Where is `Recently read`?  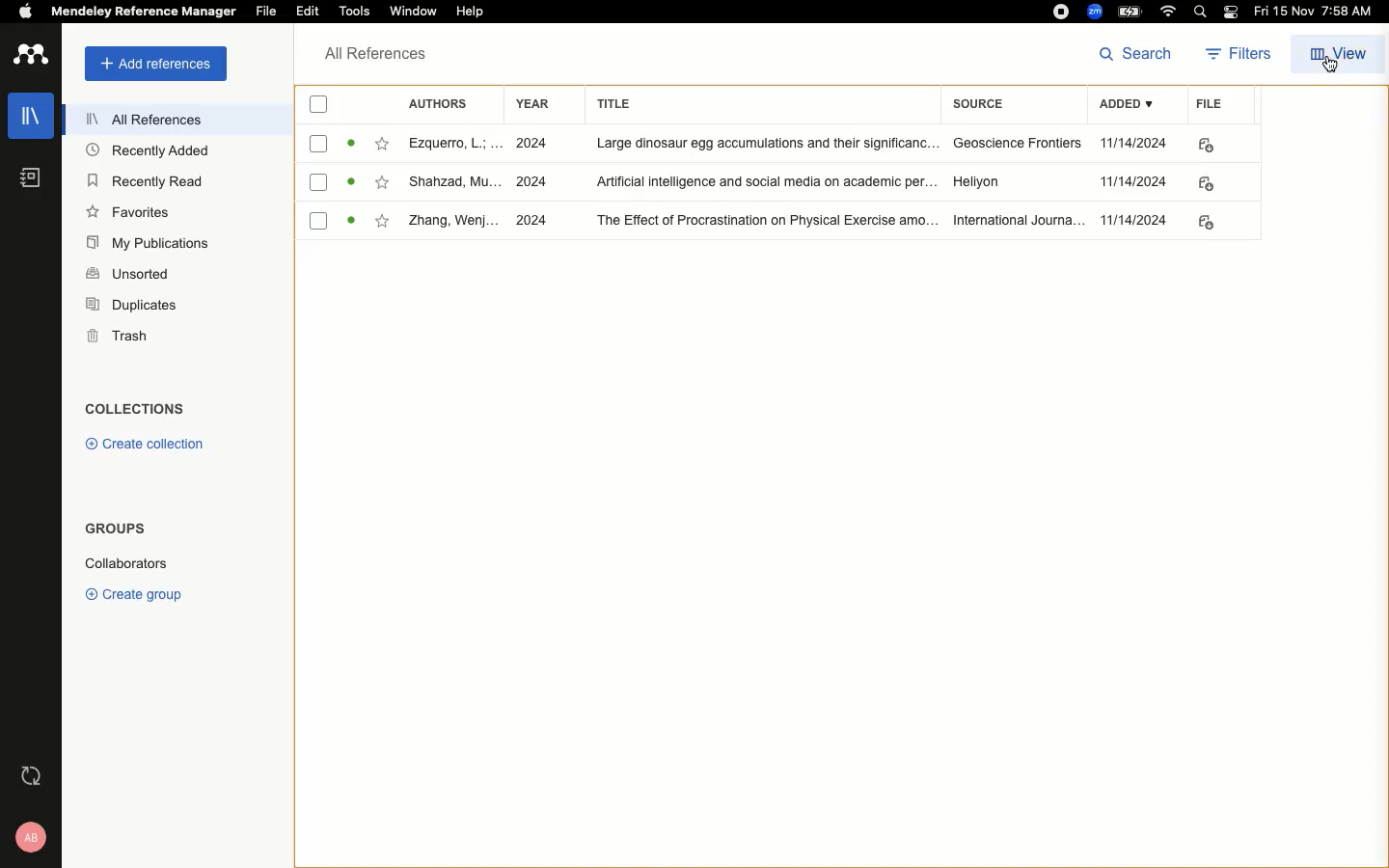 Recently read is located at coordinates (147, 180).